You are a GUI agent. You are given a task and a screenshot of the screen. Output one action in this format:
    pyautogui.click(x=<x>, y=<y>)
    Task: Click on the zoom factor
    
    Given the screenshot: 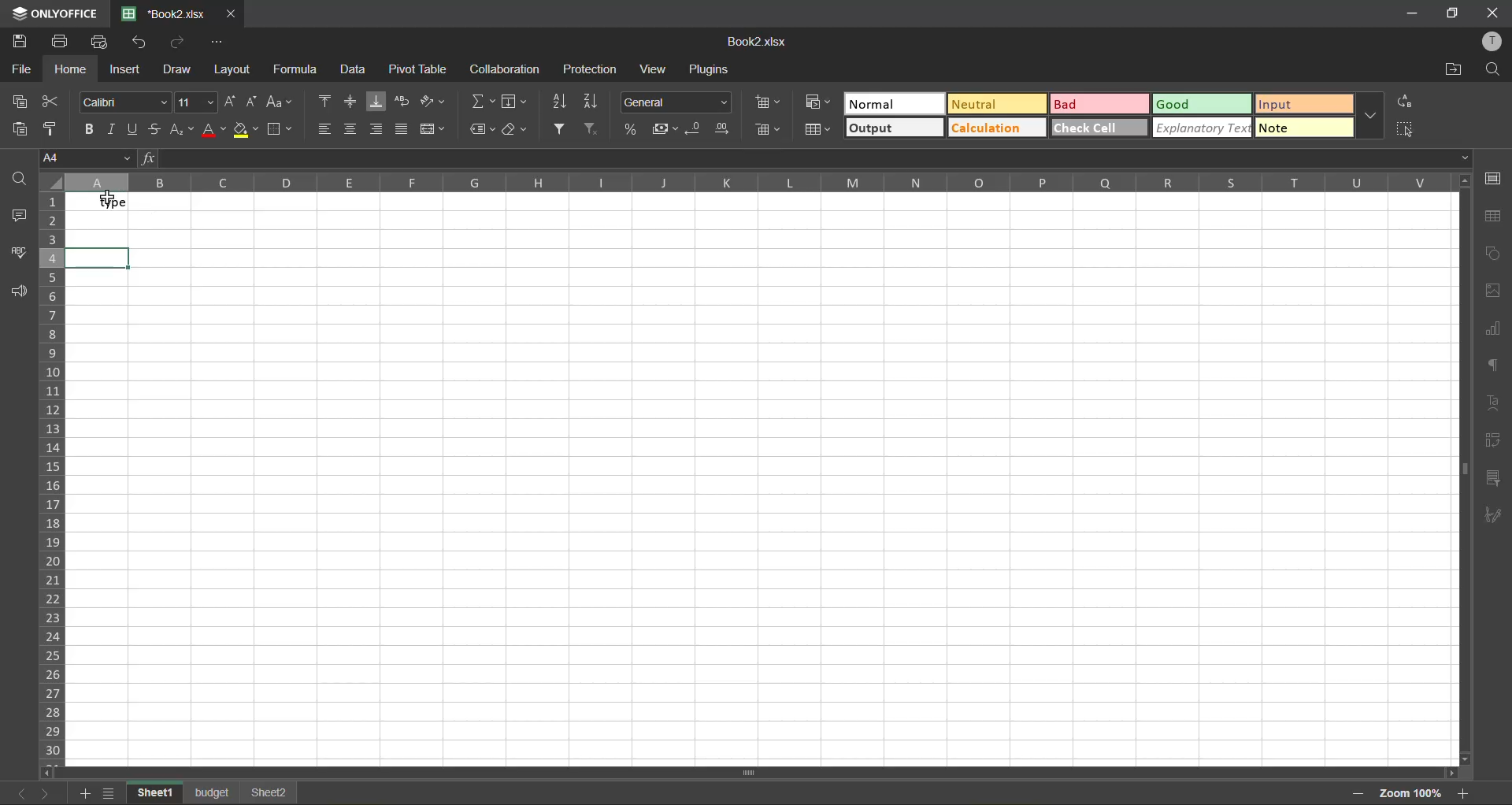 What is the action you would take?
    pyautogui.click(x=1414, y=795)
    